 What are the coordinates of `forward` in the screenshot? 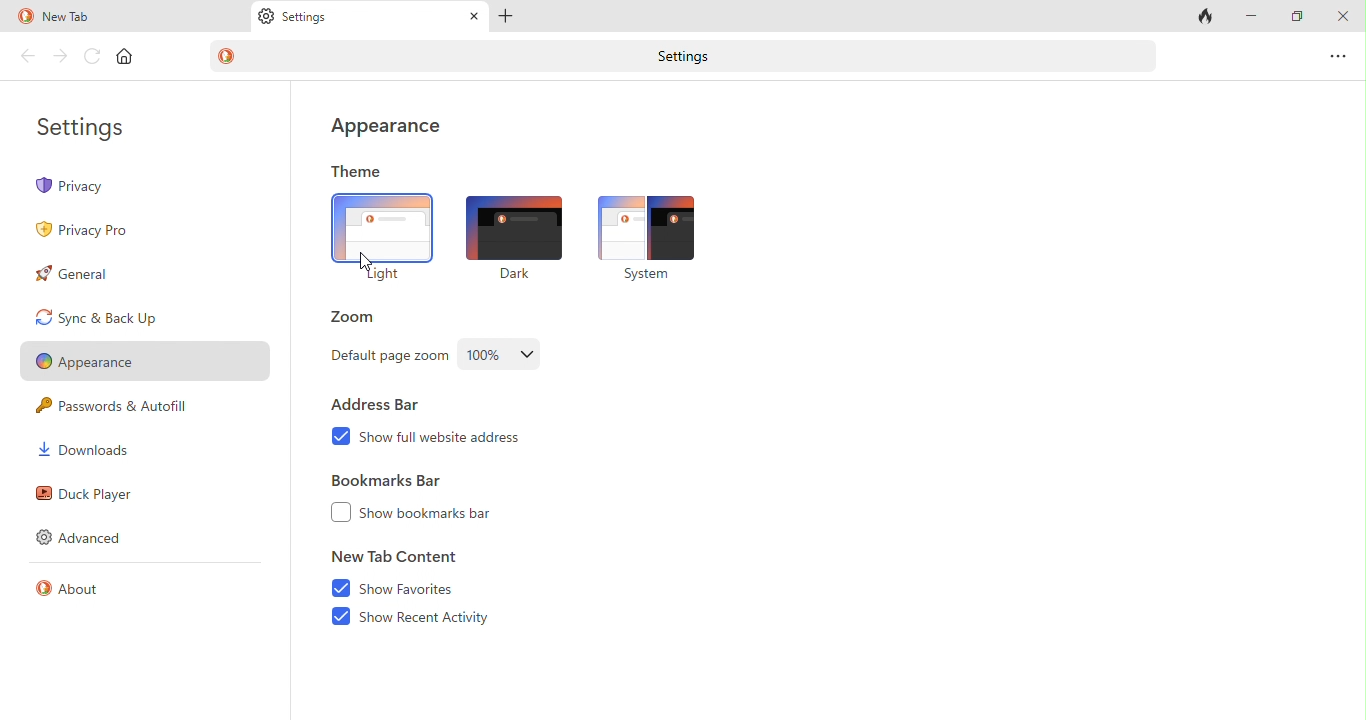 It's located at (58, 53).